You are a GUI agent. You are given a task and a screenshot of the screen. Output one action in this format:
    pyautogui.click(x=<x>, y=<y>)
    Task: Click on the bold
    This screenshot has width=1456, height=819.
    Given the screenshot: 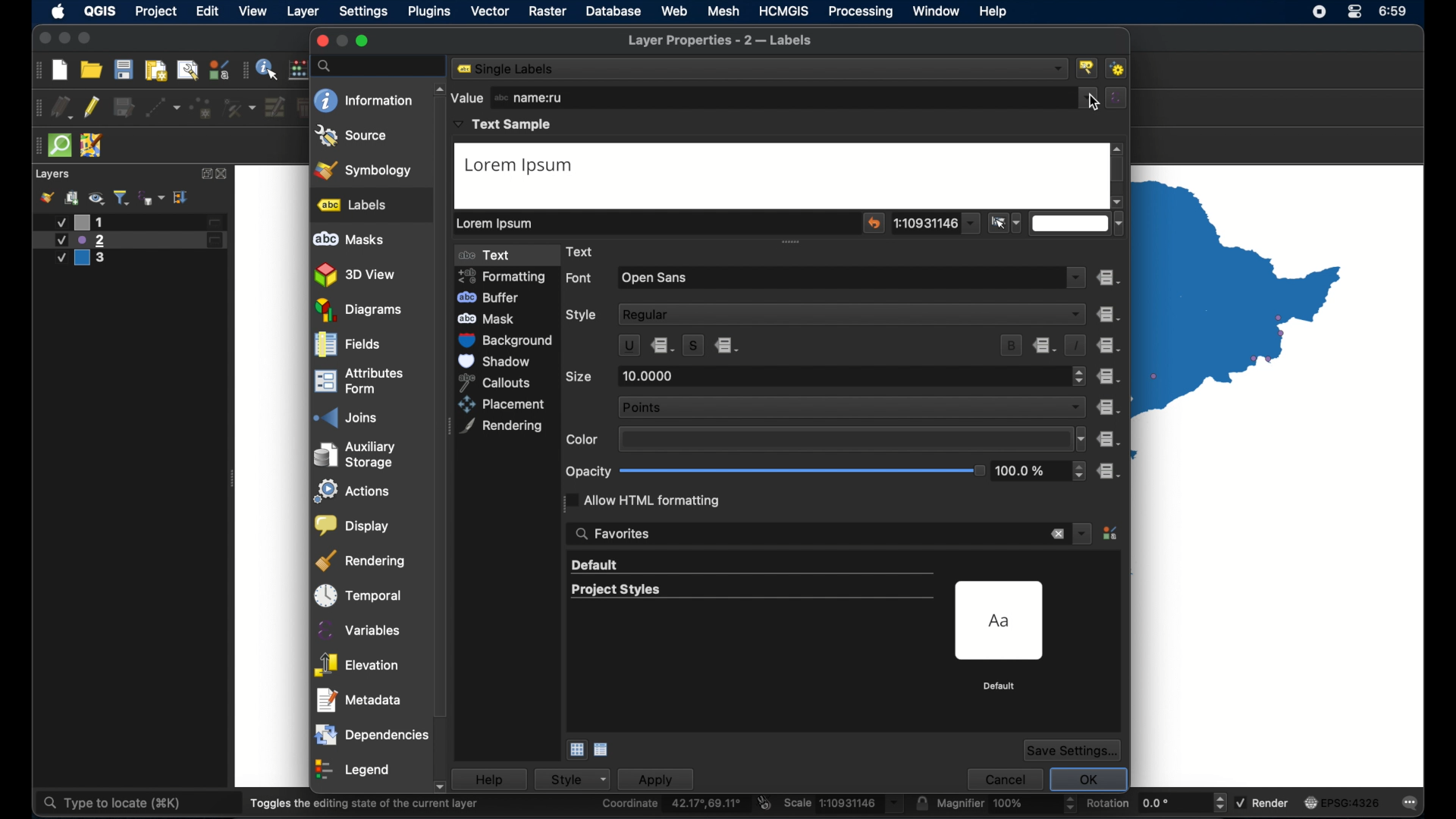 What is the action you would take?
    pyautogui.click(x=1012, y=345)
    